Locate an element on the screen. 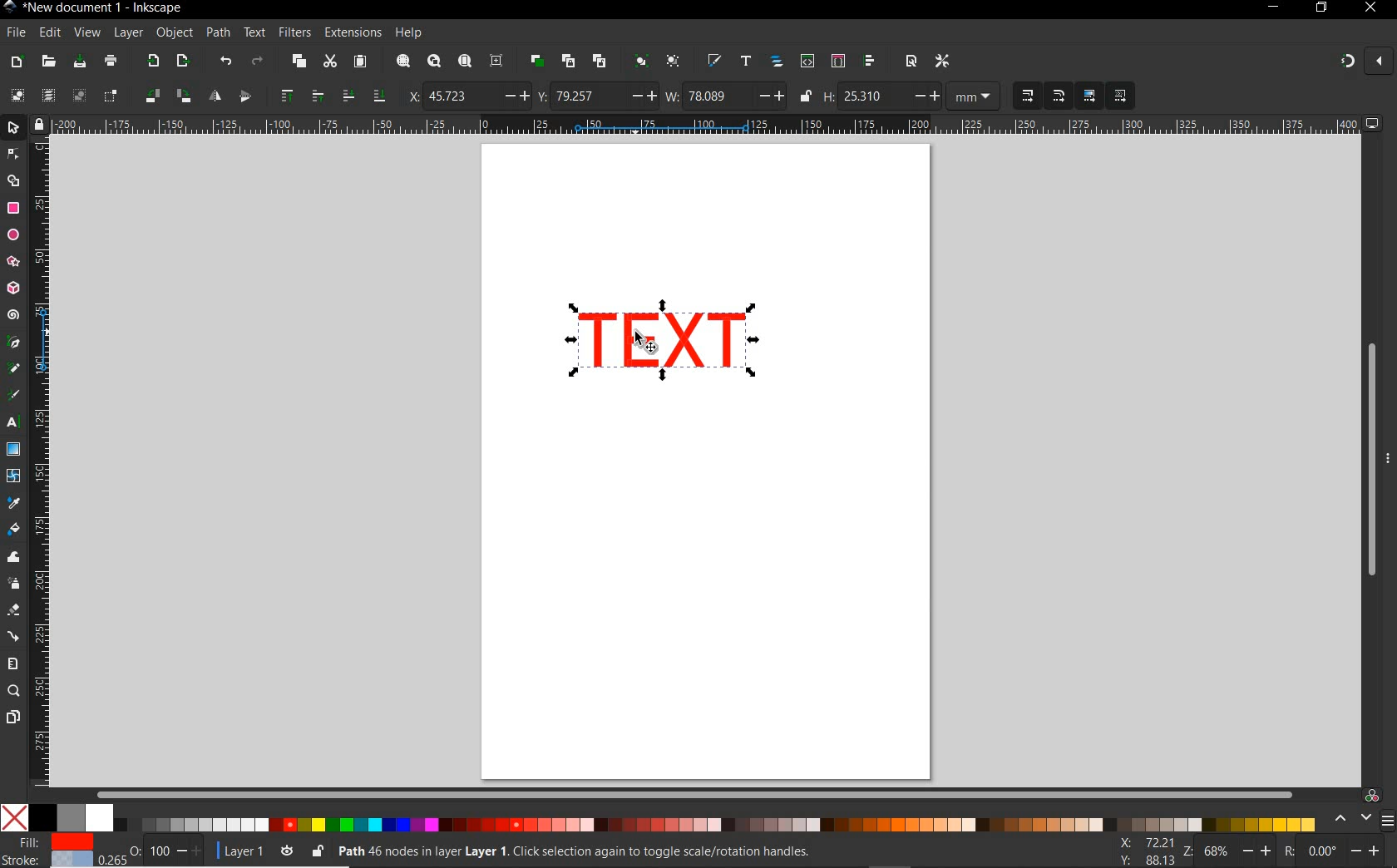 This screenshot has height=868, width=1397. WIDTH OF SELECTION is located at coordinates (725, 96).